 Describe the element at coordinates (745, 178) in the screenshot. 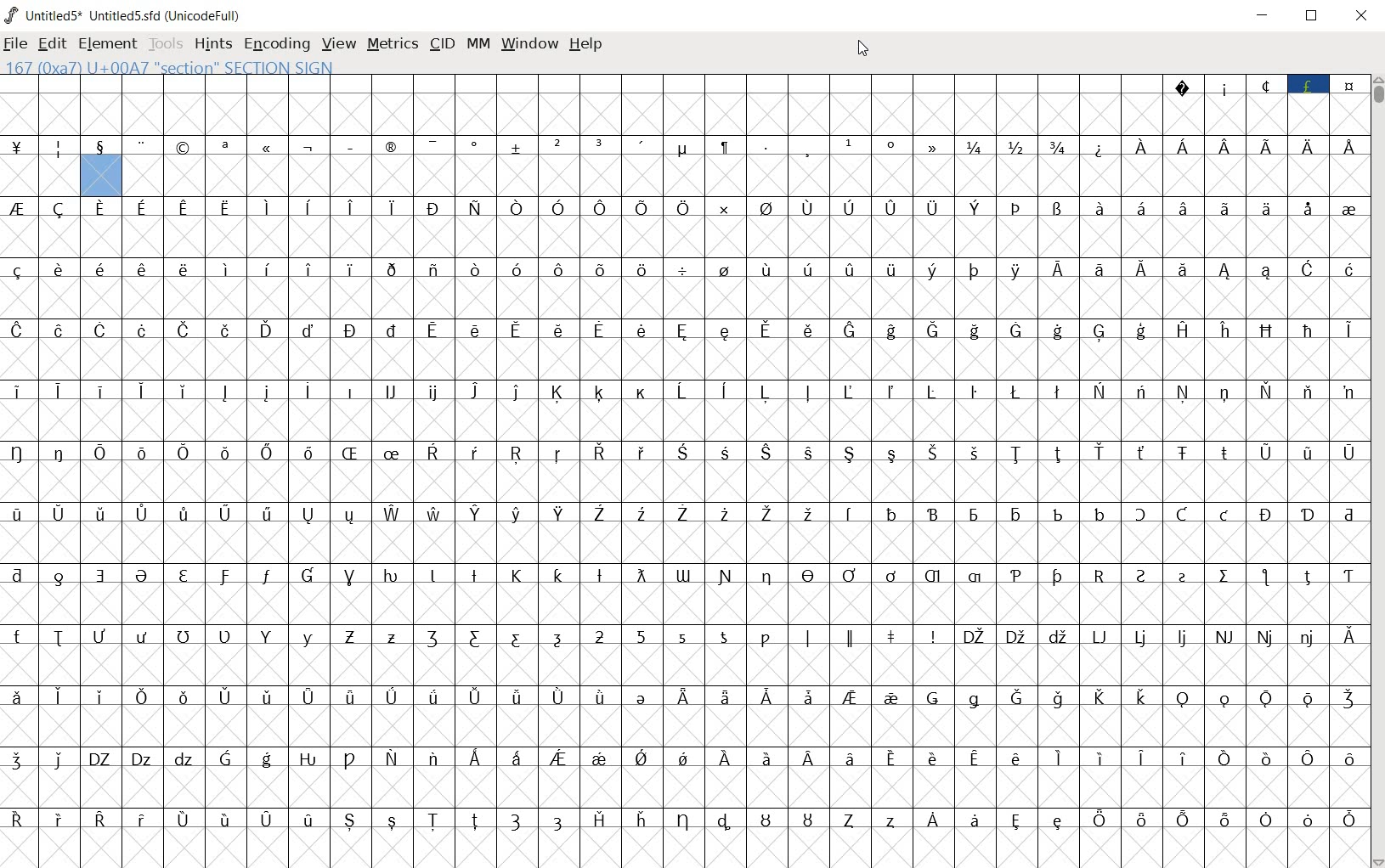

I see `empty cells` at that location.